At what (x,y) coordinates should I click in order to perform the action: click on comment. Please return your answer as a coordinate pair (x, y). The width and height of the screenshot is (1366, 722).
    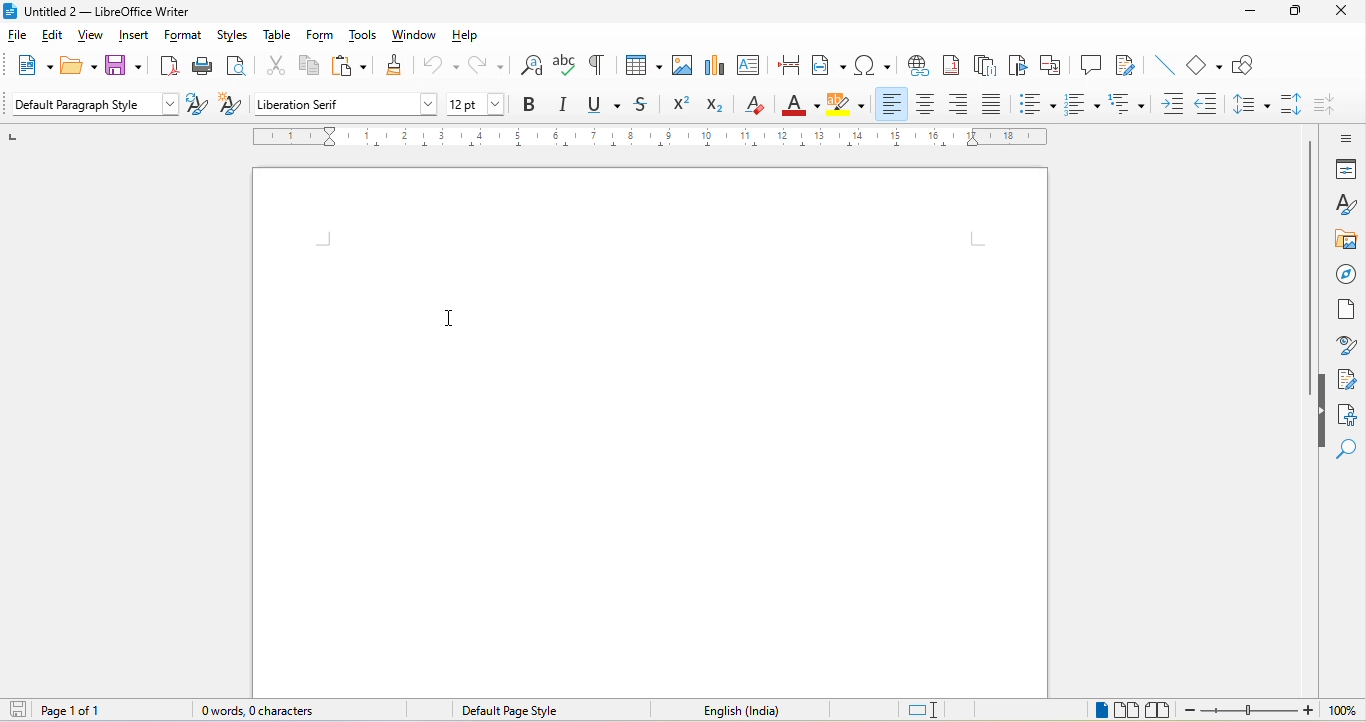
    Looking at the image, I should click on (1088, 67).